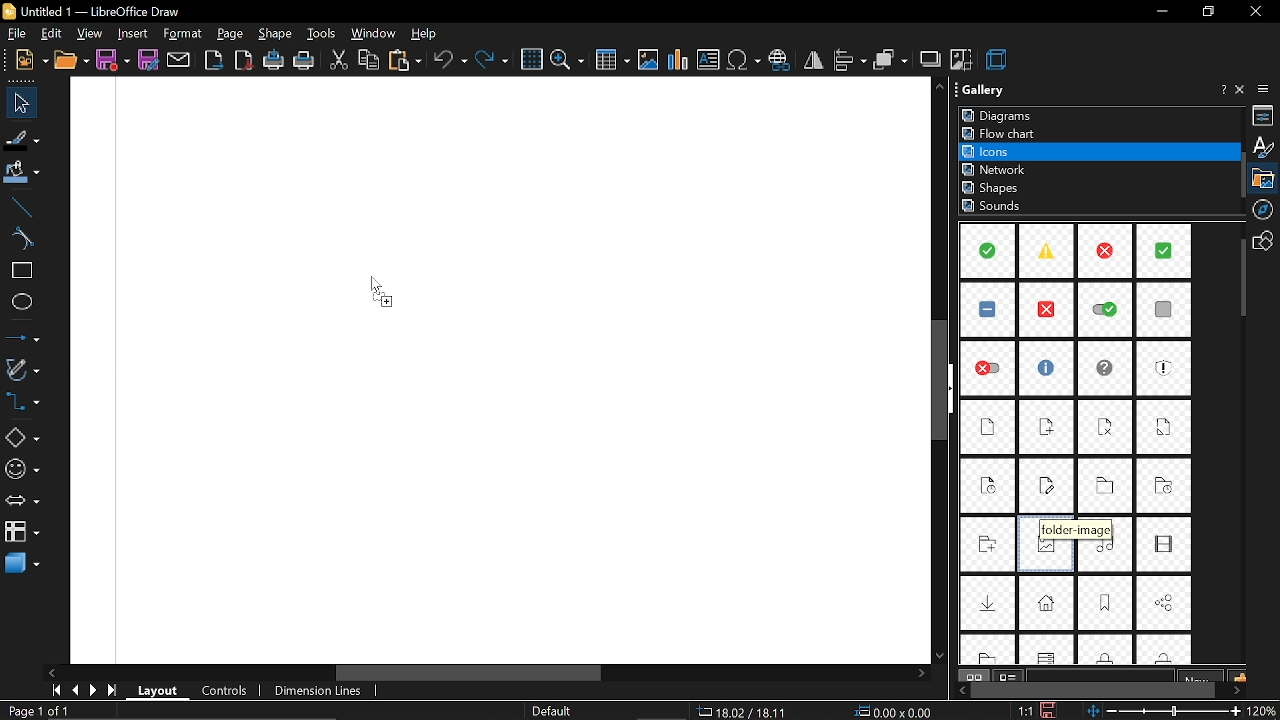  What do you see at coordinates (214, 60) in the screenshot?
I see `export` at bounding box center [214, 60].